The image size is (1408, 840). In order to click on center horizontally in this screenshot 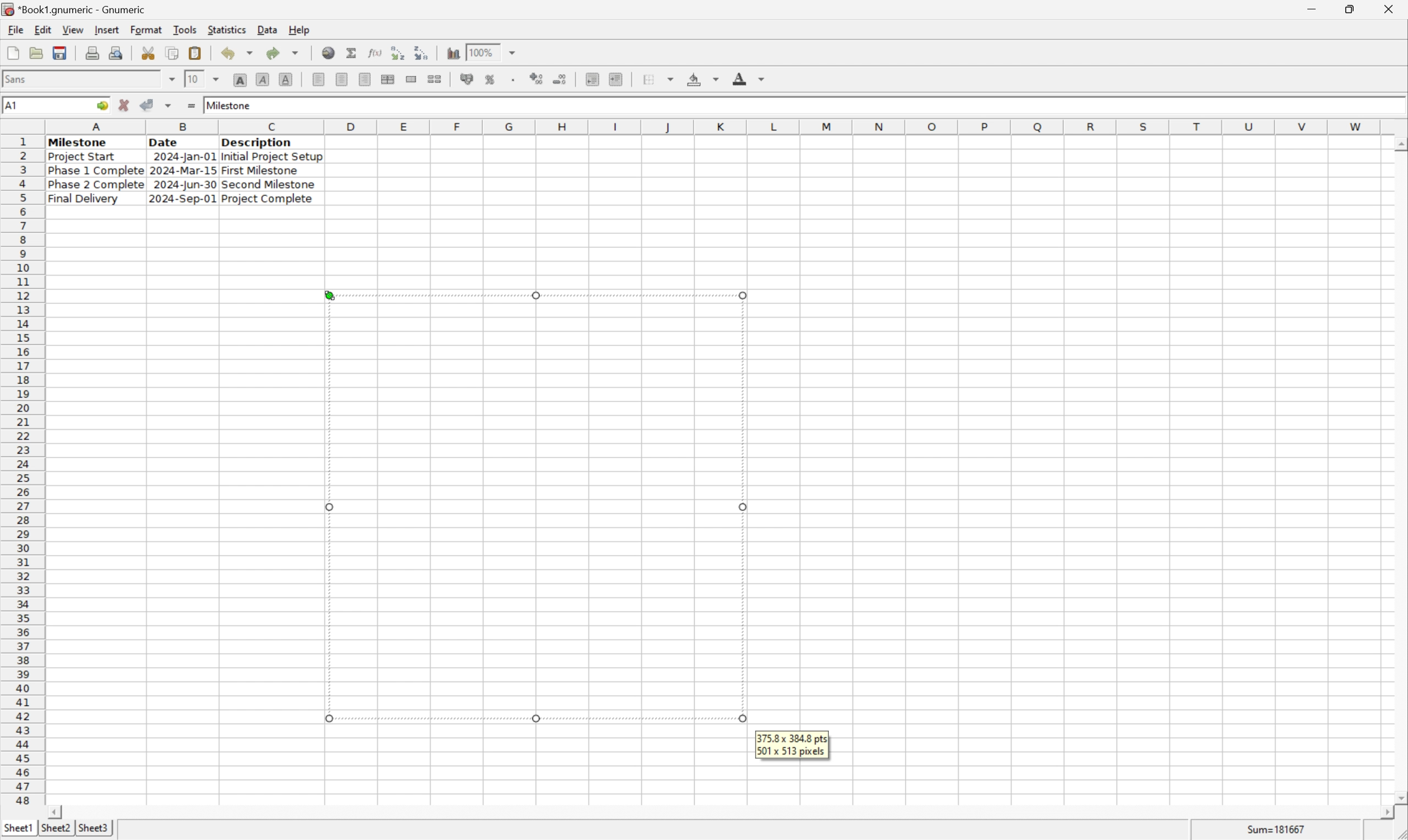, I will do `click(341, 80)`.